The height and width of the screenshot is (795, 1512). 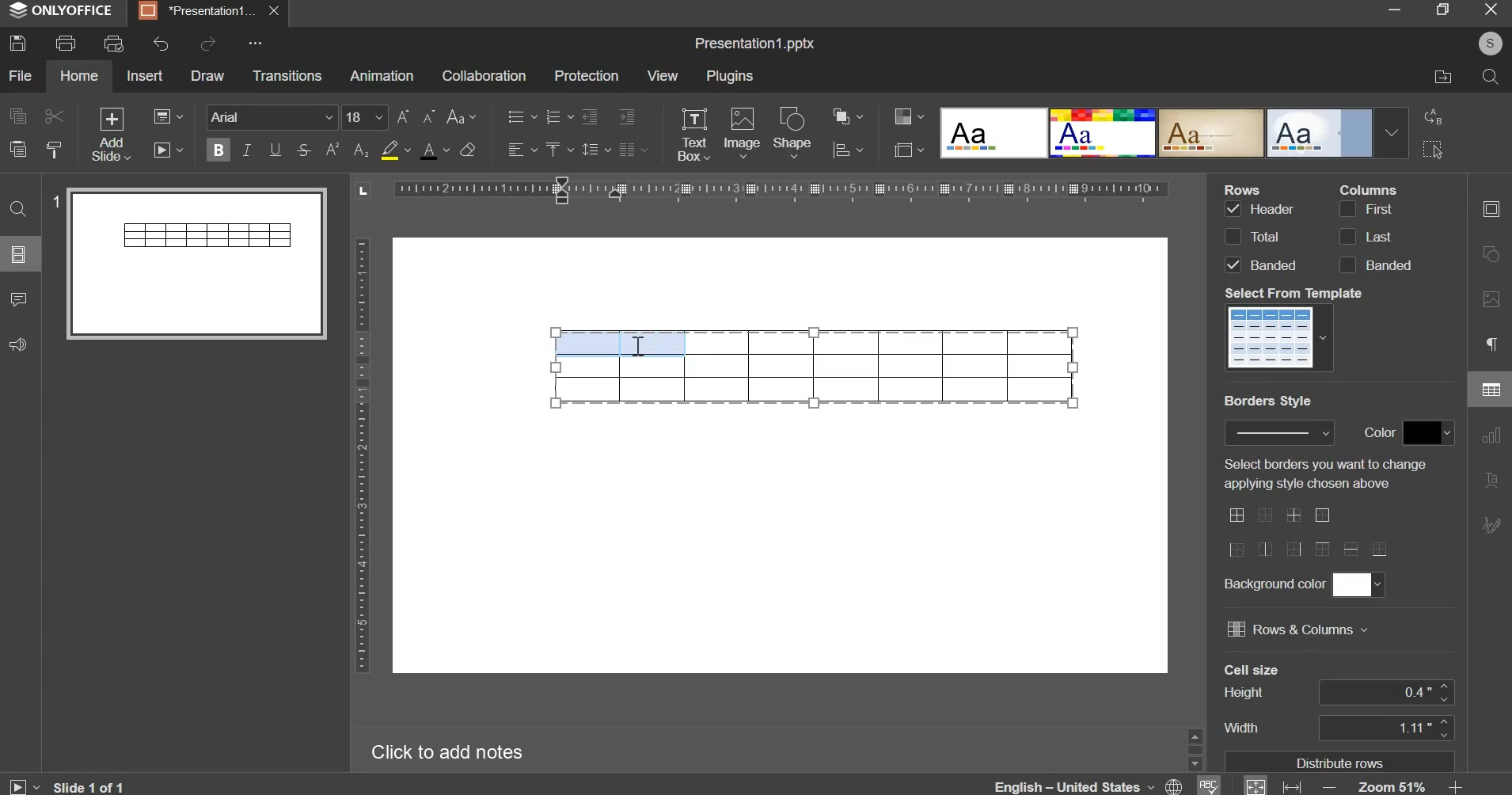 I want to click on language & spelling, so click(x=1107, y=784).